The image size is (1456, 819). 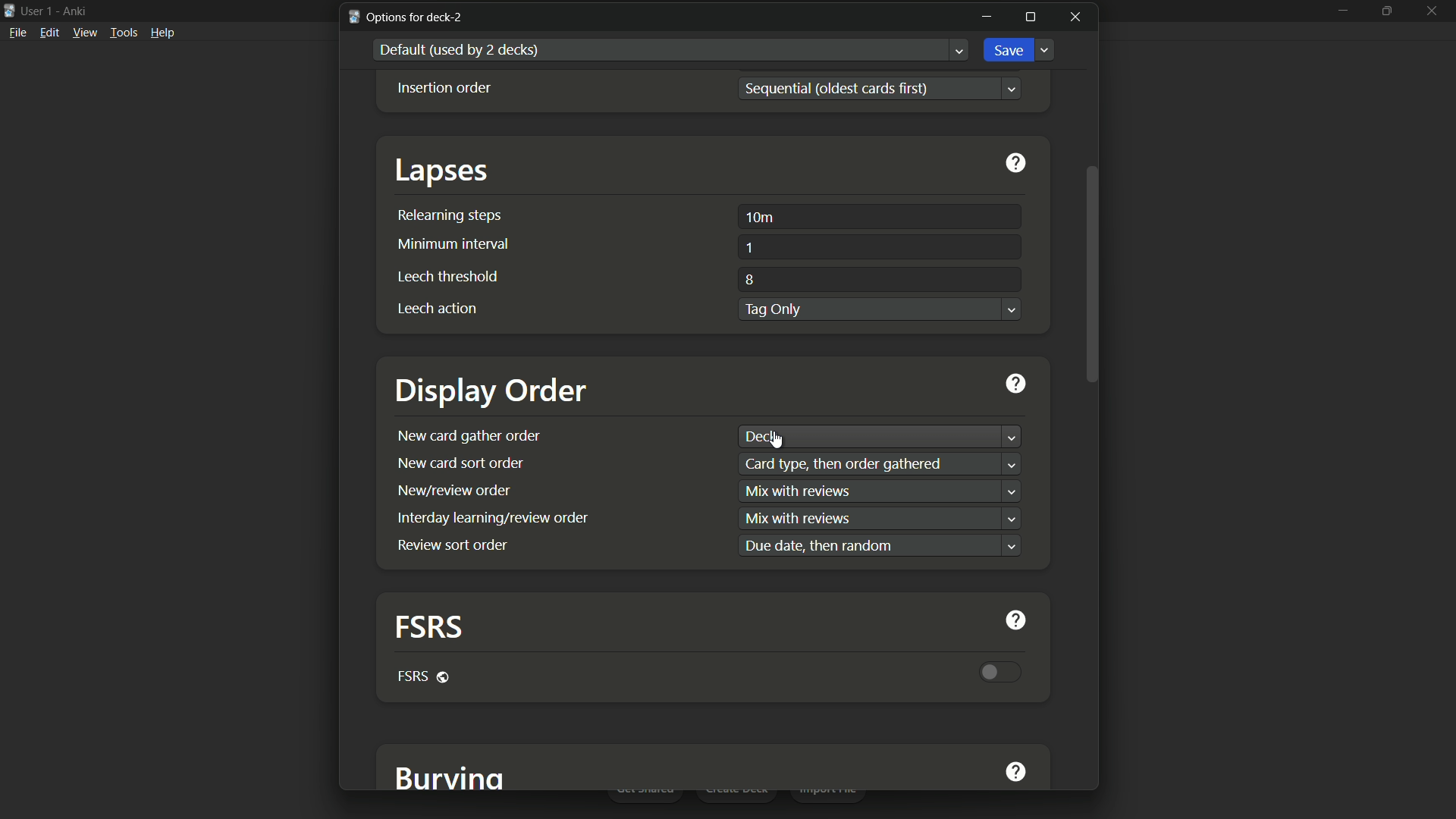 What do you see at coordinates (488, 396) in the screenshot?
I see `display order` at bounding box center [488, 396].